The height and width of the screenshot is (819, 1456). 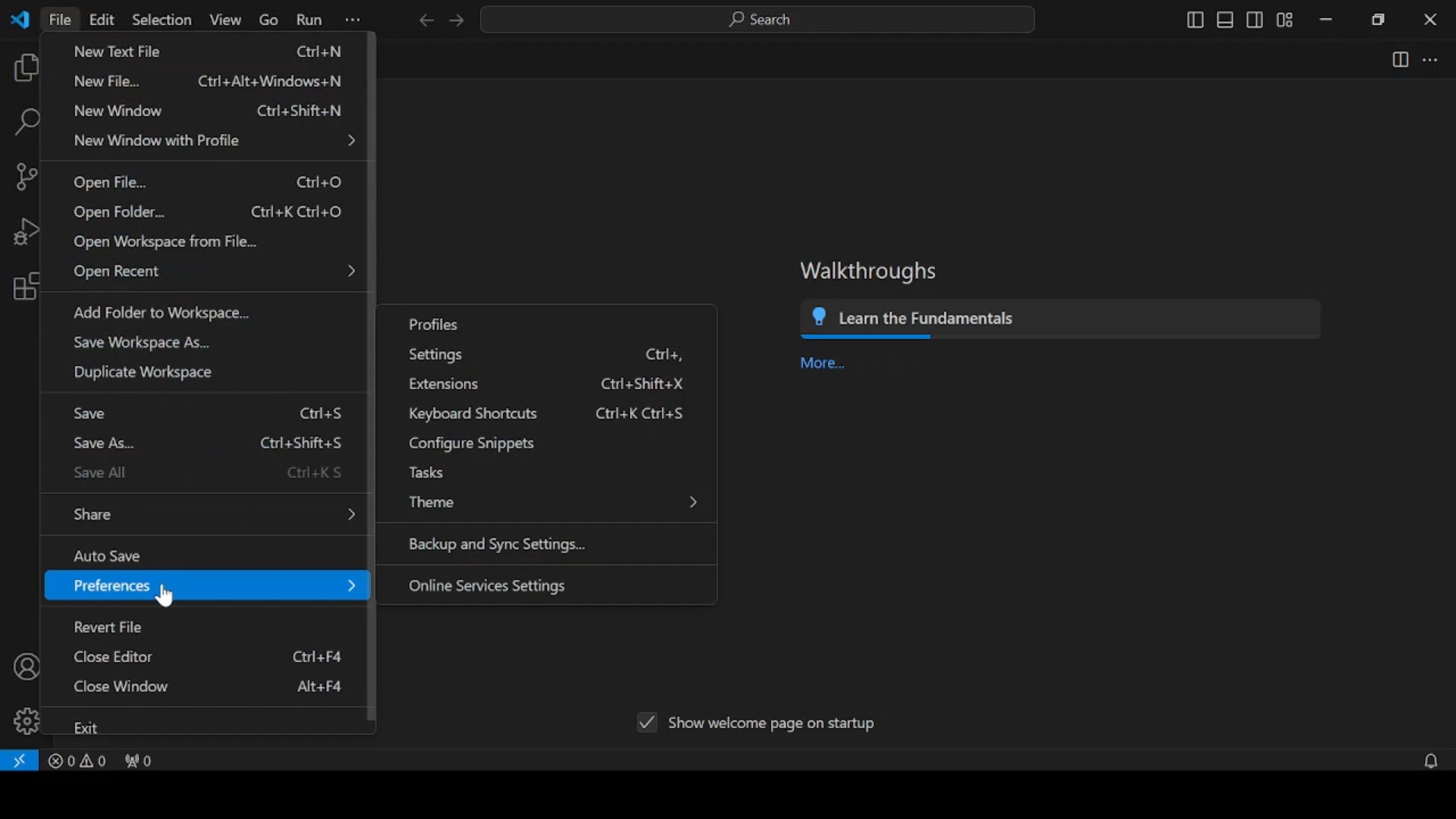 I want to click on Walkthroughs, so click(x=866, y=271).